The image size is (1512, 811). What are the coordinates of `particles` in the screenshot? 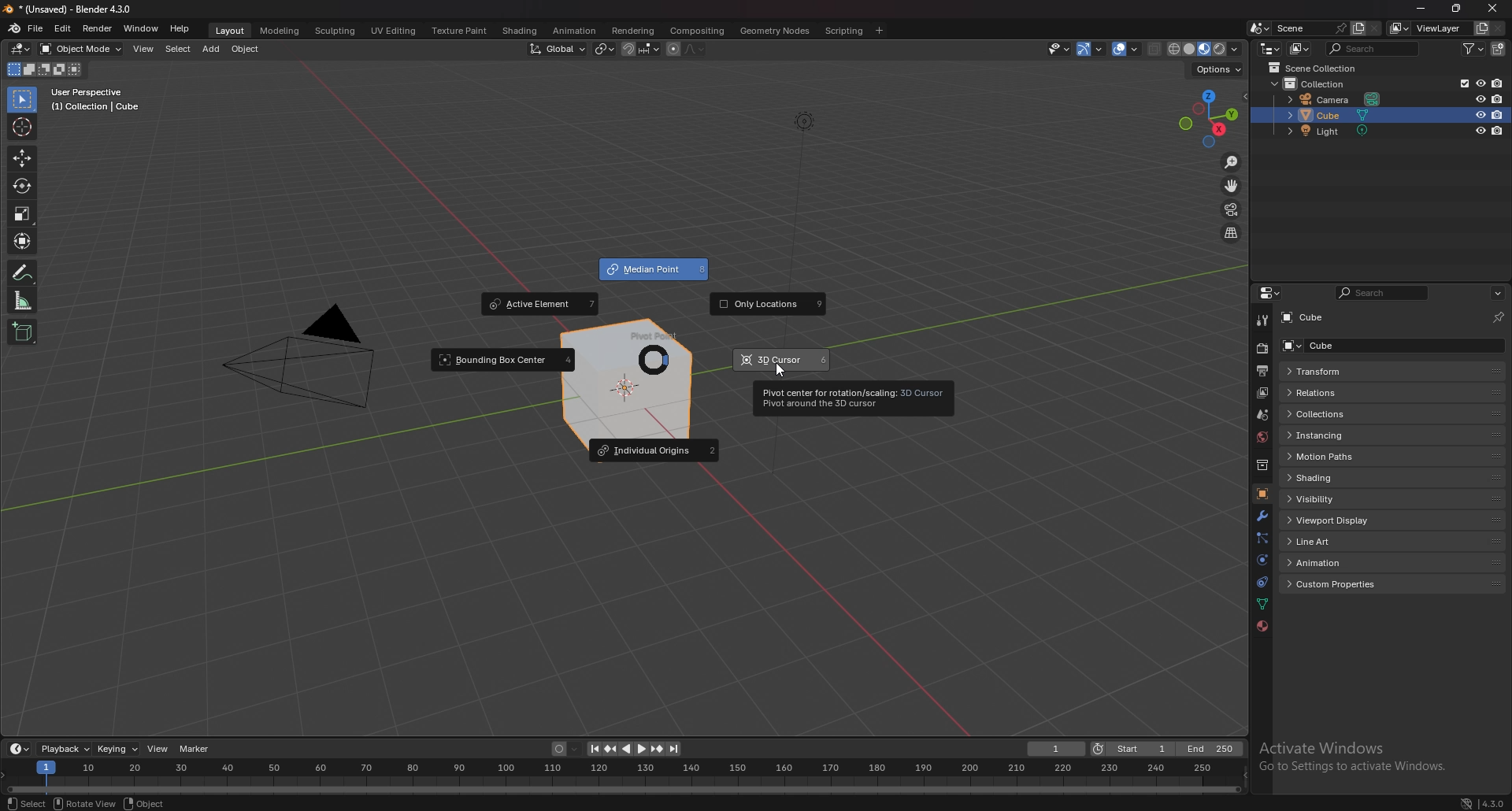 It's located at (1259, 537).